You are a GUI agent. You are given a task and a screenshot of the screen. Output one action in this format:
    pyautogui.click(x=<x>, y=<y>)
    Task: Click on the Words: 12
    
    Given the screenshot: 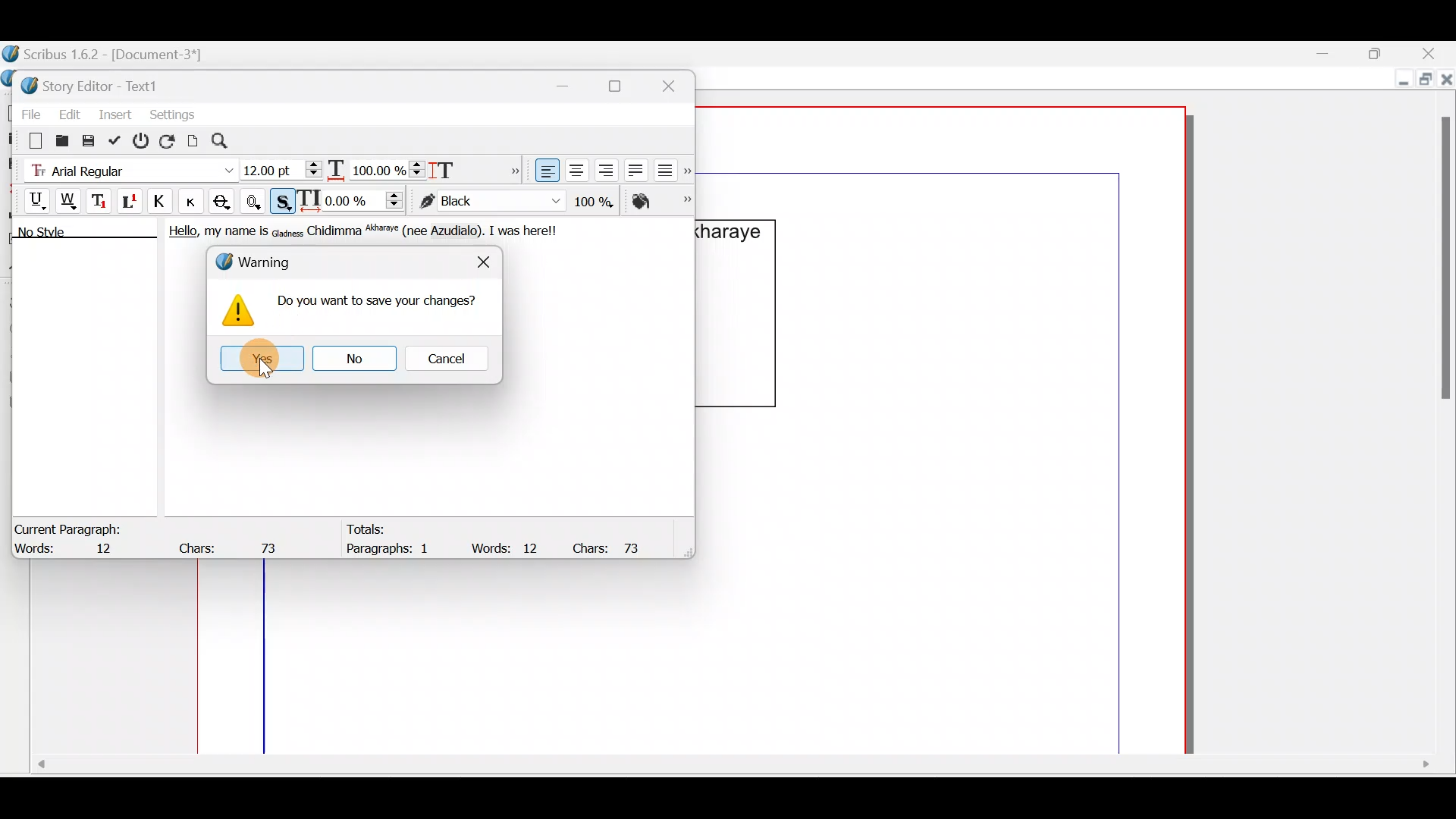 What is the action you would take?
    pyautogui.click(x=72, y=550)
    